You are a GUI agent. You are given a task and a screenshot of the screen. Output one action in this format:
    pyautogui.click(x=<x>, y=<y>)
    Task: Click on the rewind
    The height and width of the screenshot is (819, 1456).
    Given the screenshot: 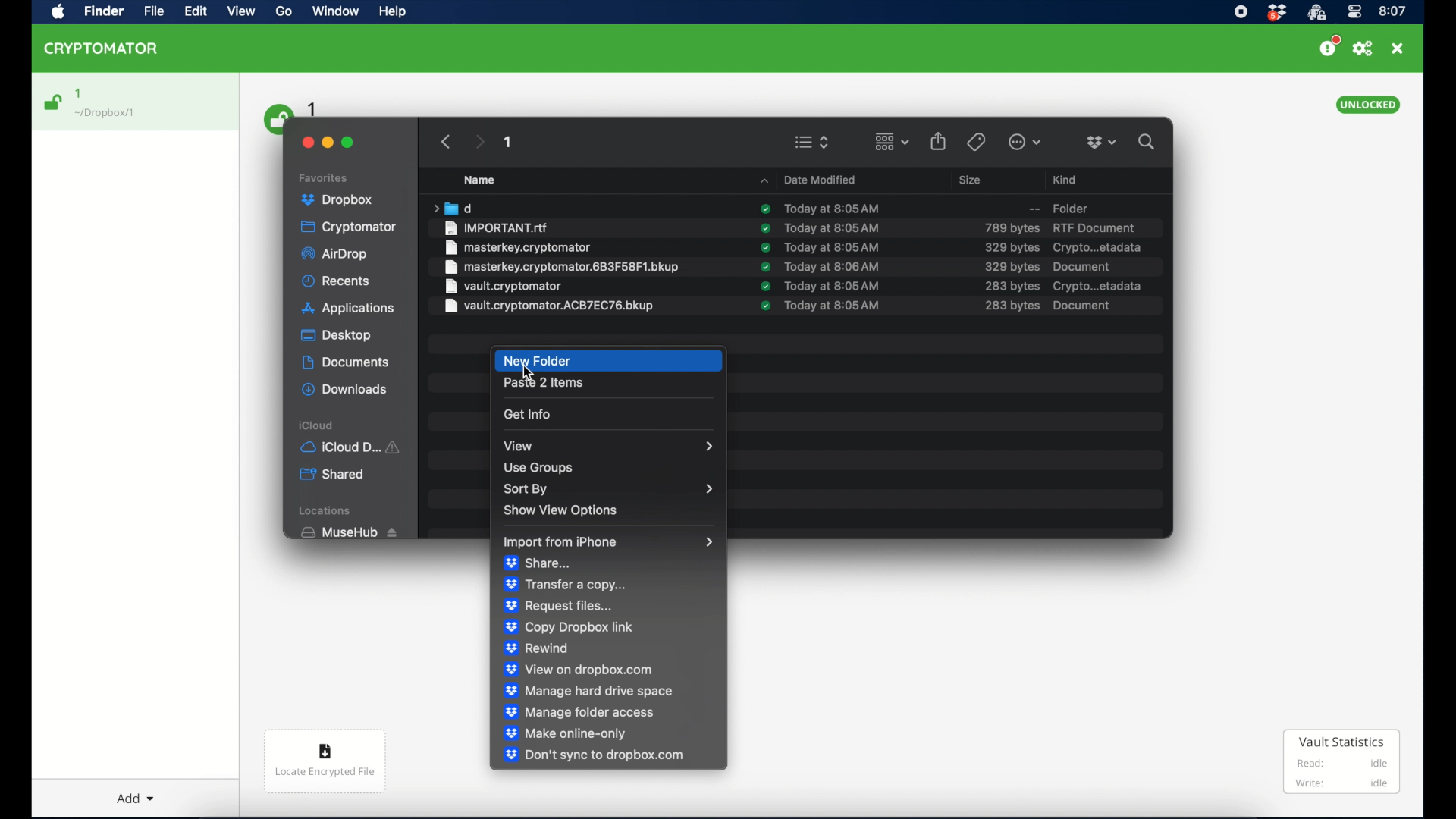 What is the action you would take?
    pyautogui.click(x=537, y=648)
    